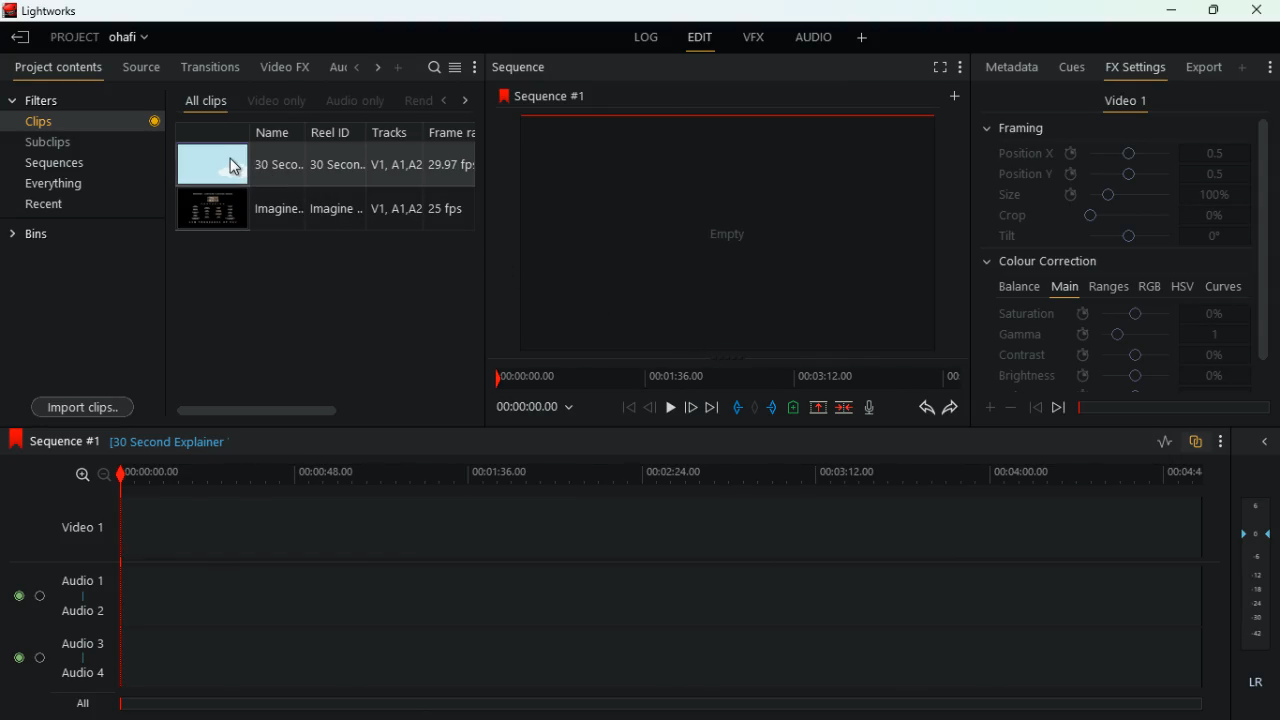  Describe the element at coordinates (1253, 574) in the screenshot. I see `frames` at that location.